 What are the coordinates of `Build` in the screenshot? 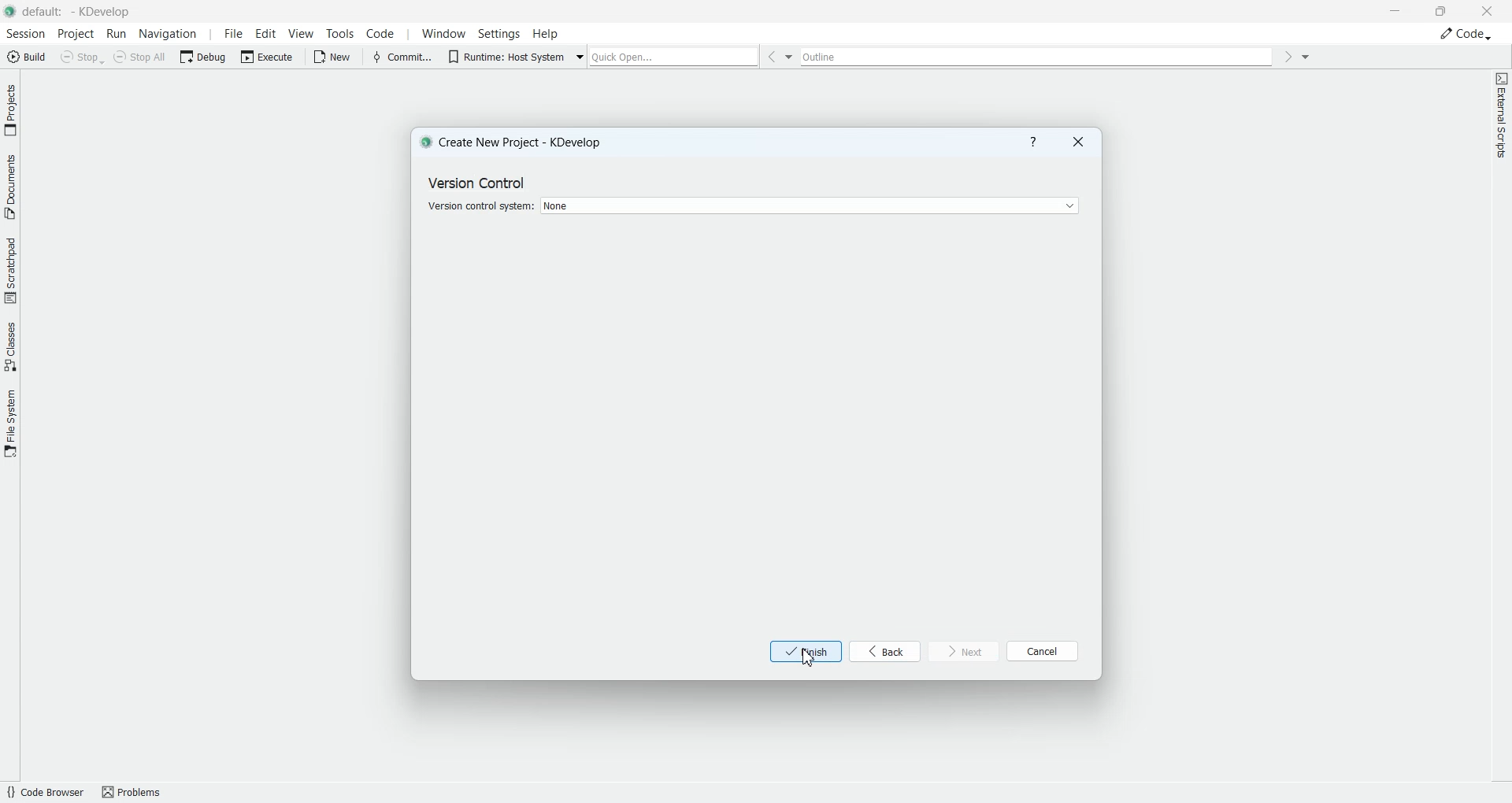 It's located at (25, 56).